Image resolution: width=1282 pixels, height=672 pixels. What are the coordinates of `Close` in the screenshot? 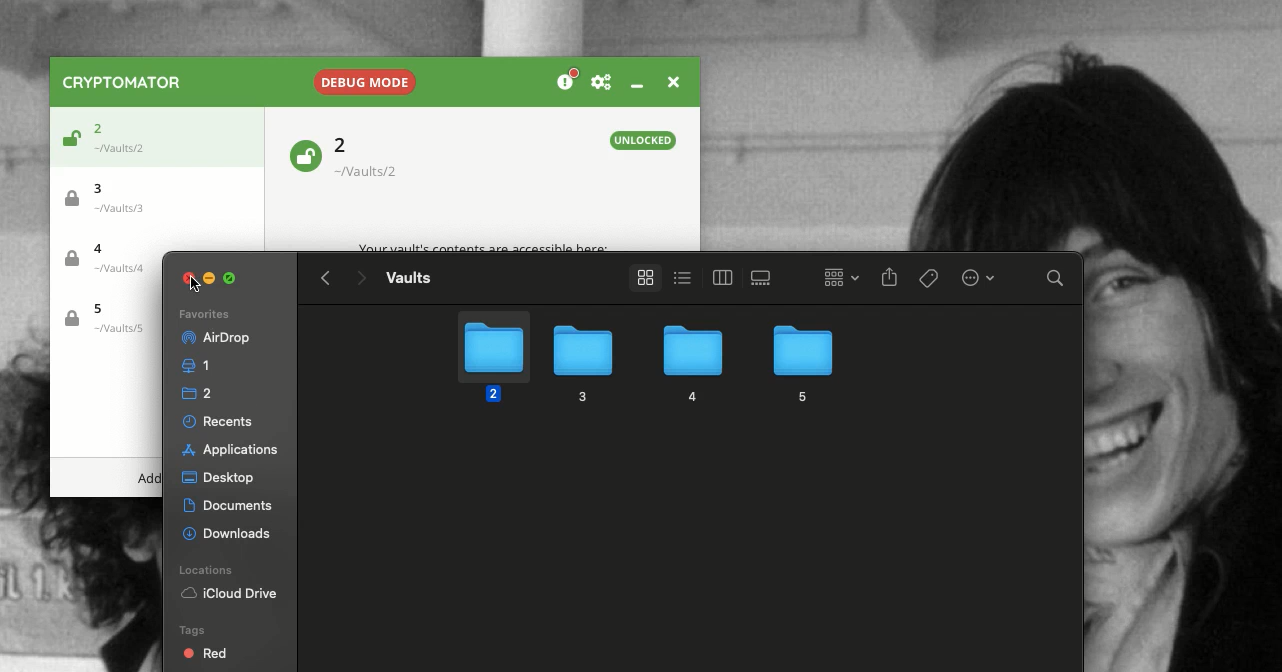 It's located at (189, 275).